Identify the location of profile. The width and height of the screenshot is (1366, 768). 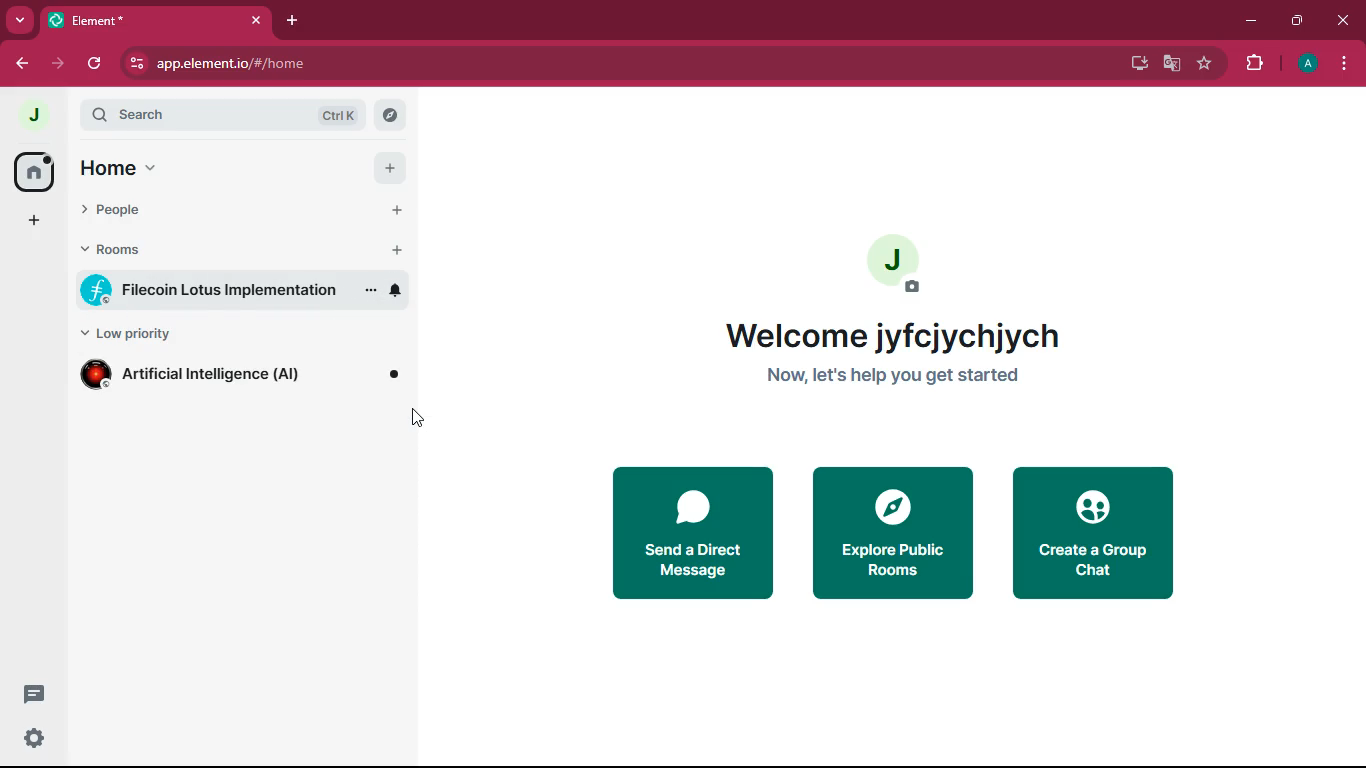
(1310, 65).